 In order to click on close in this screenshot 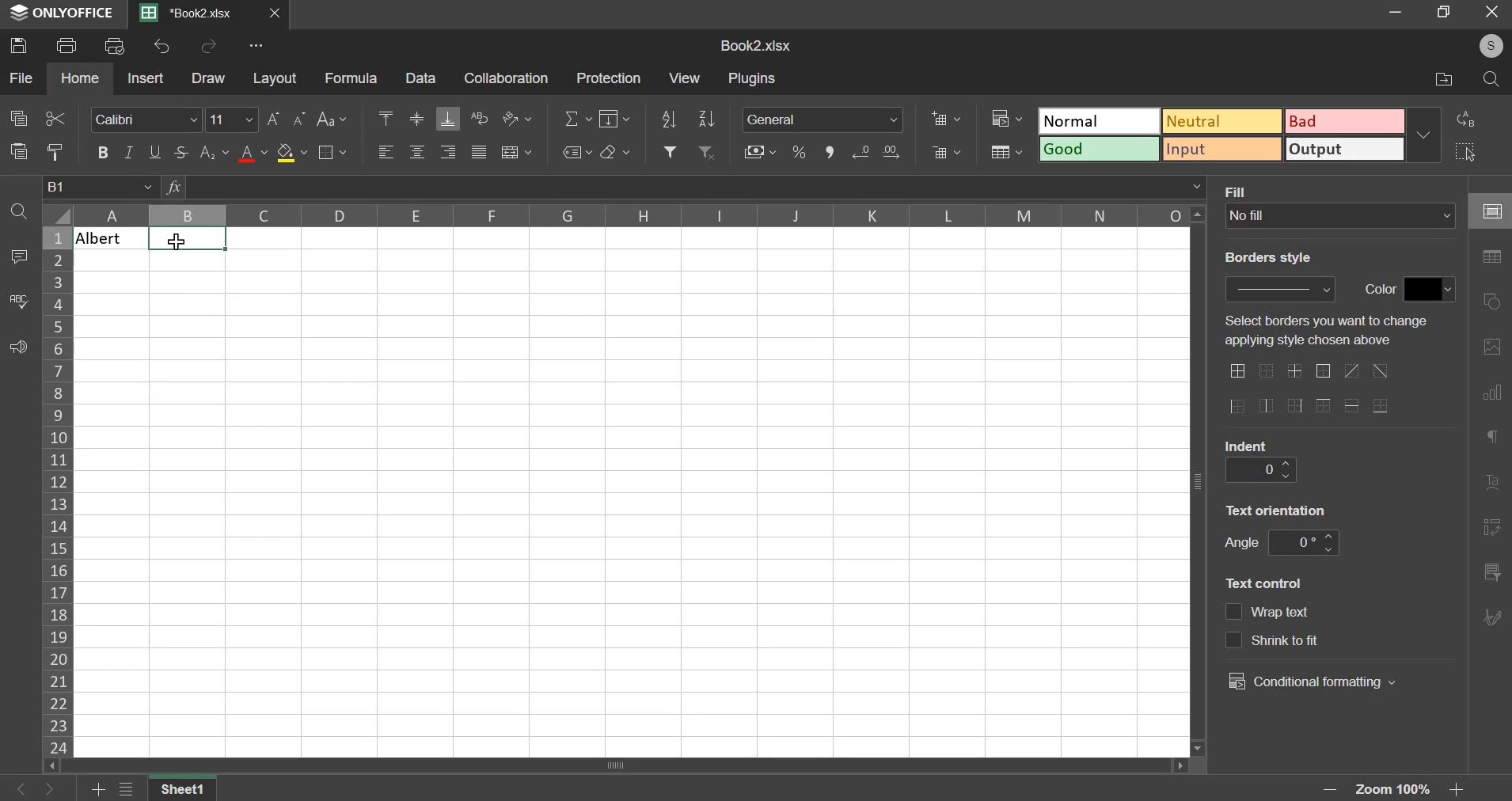, I will do `click(1491, 13)`.